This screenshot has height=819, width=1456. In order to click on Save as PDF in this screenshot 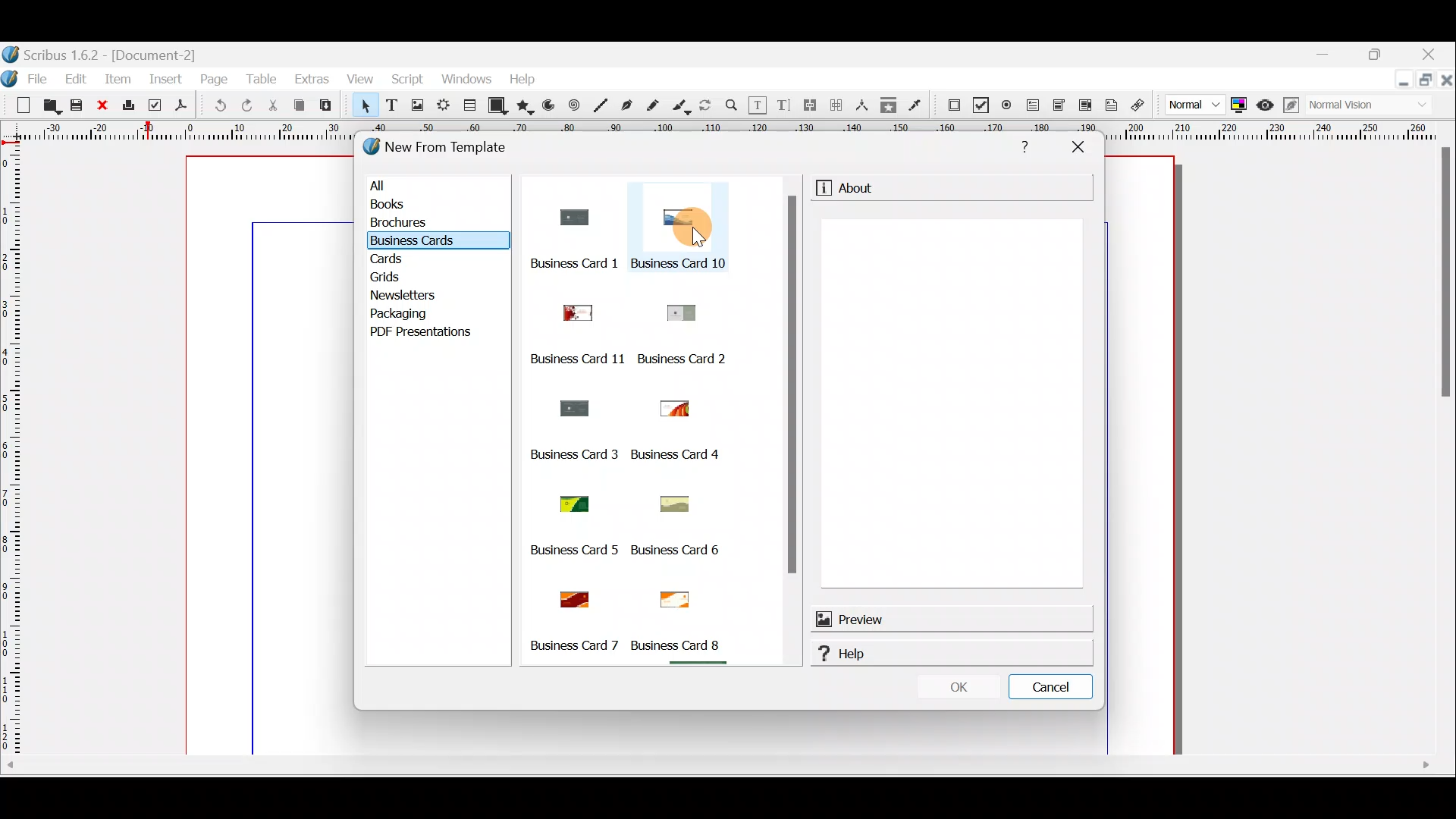, I will do `click(181, 107)`.